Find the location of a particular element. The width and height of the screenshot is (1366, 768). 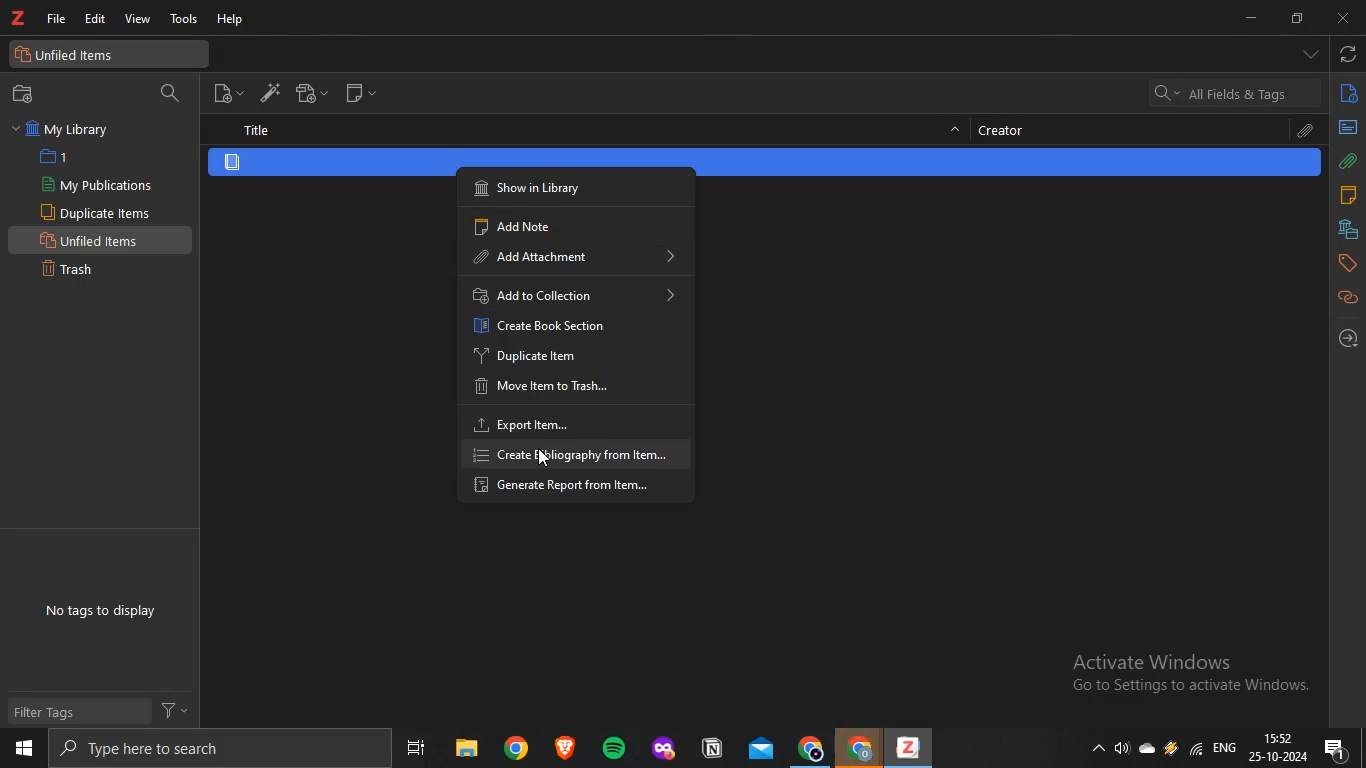

new collection is located at coordinates (27, 94).